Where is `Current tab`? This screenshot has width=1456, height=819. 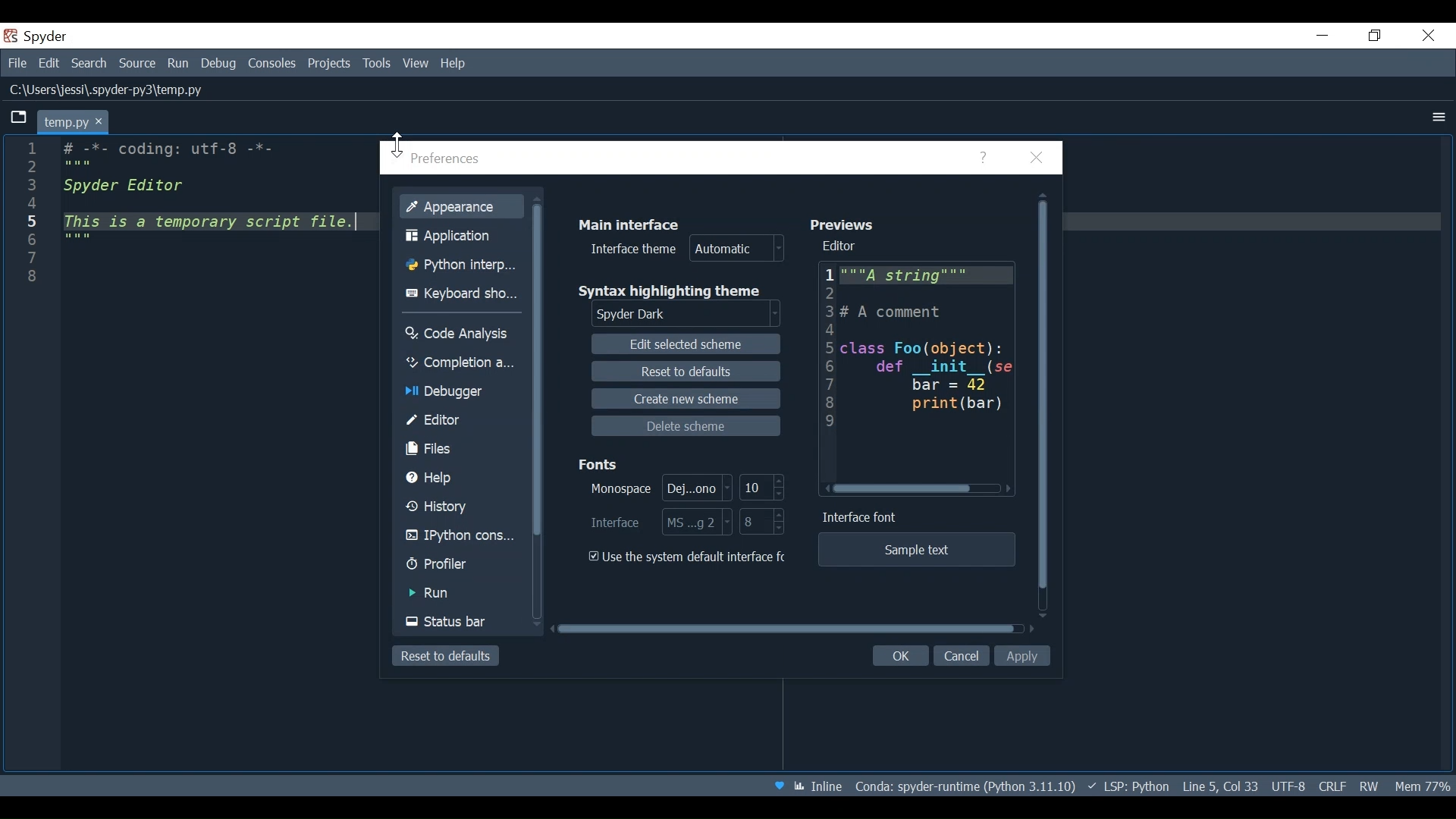
Current tab is located at coordinates (74, 120).